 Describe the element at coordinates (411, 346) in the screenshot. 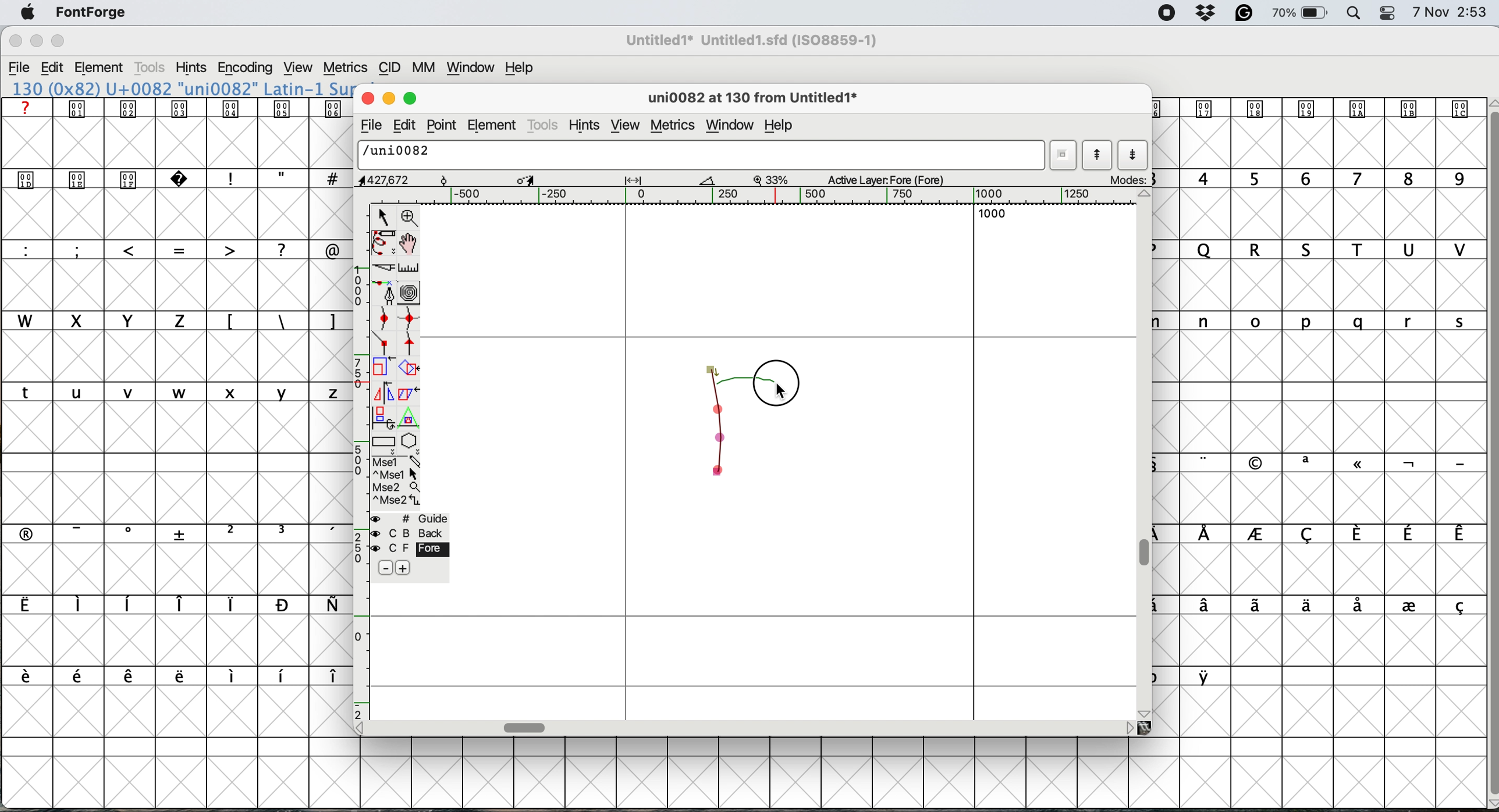

I see `add a tangent point` at that location.